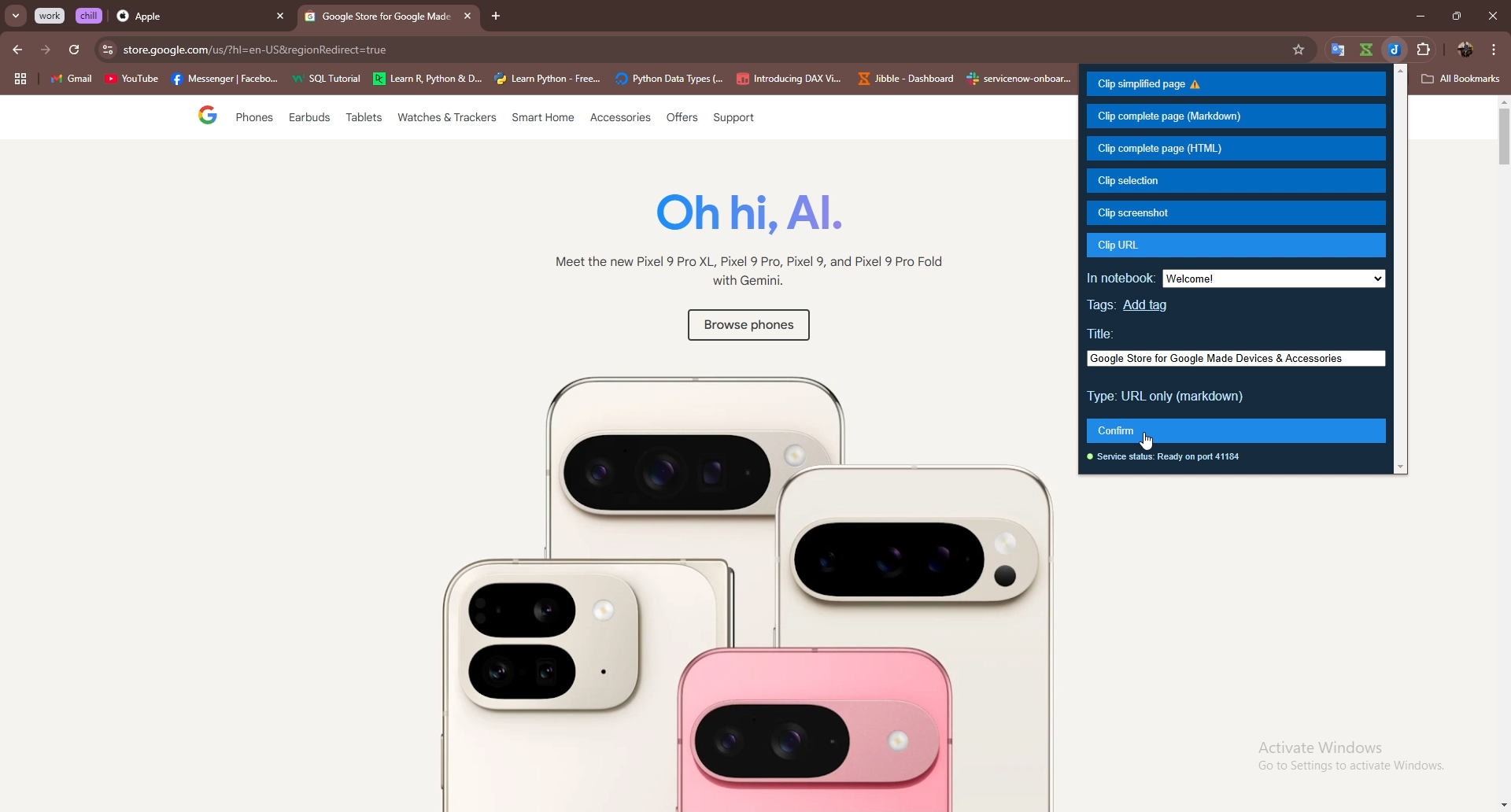  What do you see at coordinates (622, 119) in the screenshot?
I see `Accessories` at bounding box center [622, 119].